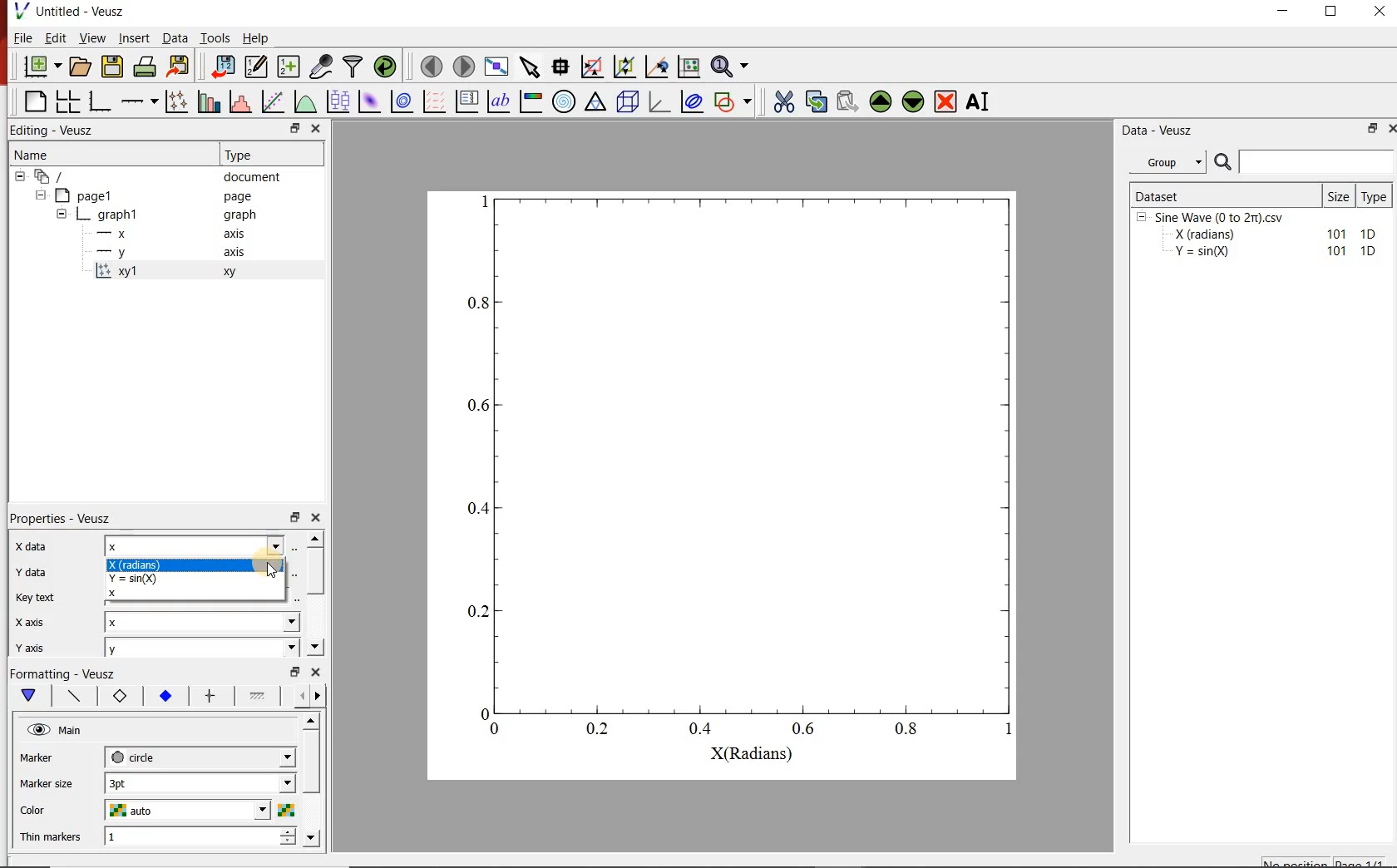 Image resolution: width=1397 pixels, height=868 pixels. I want to click on Data, so click(174, 37).